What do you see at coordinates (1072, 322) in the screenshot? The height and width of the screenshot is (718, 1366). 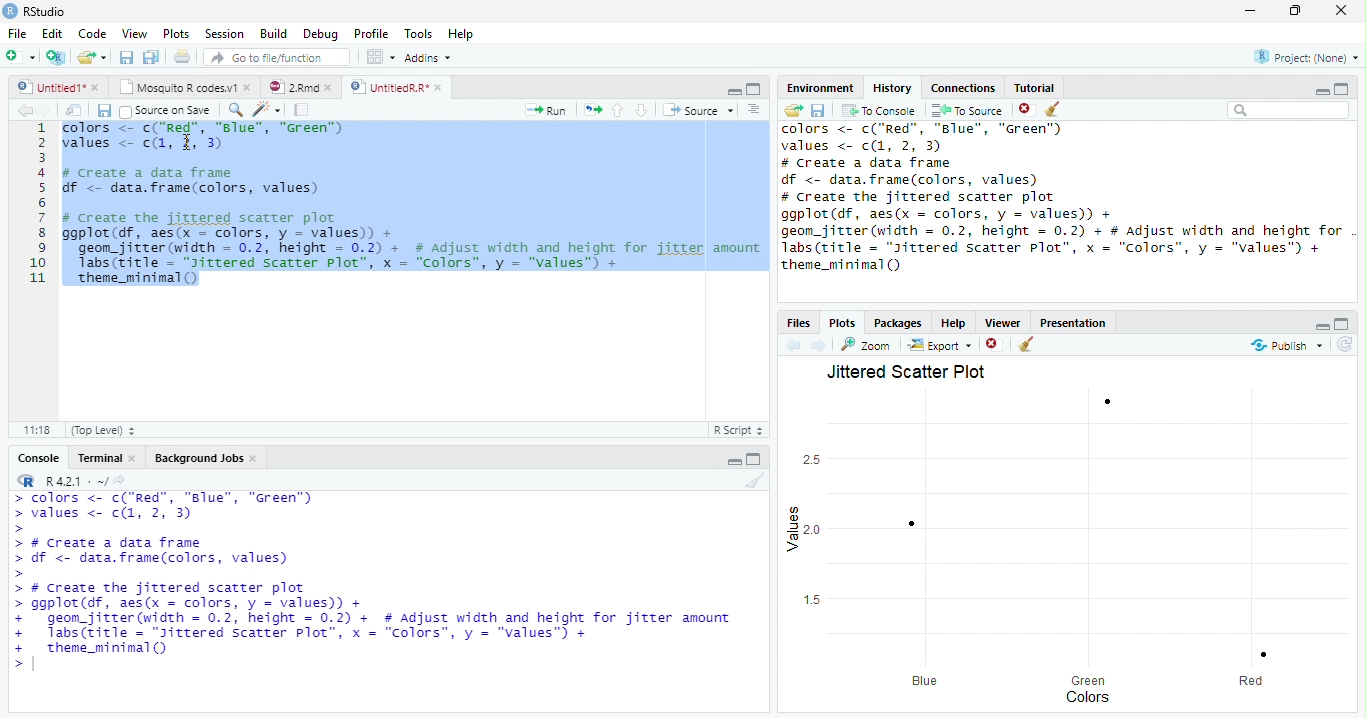 I see `Presentation` at bounding box center [1072, 322].